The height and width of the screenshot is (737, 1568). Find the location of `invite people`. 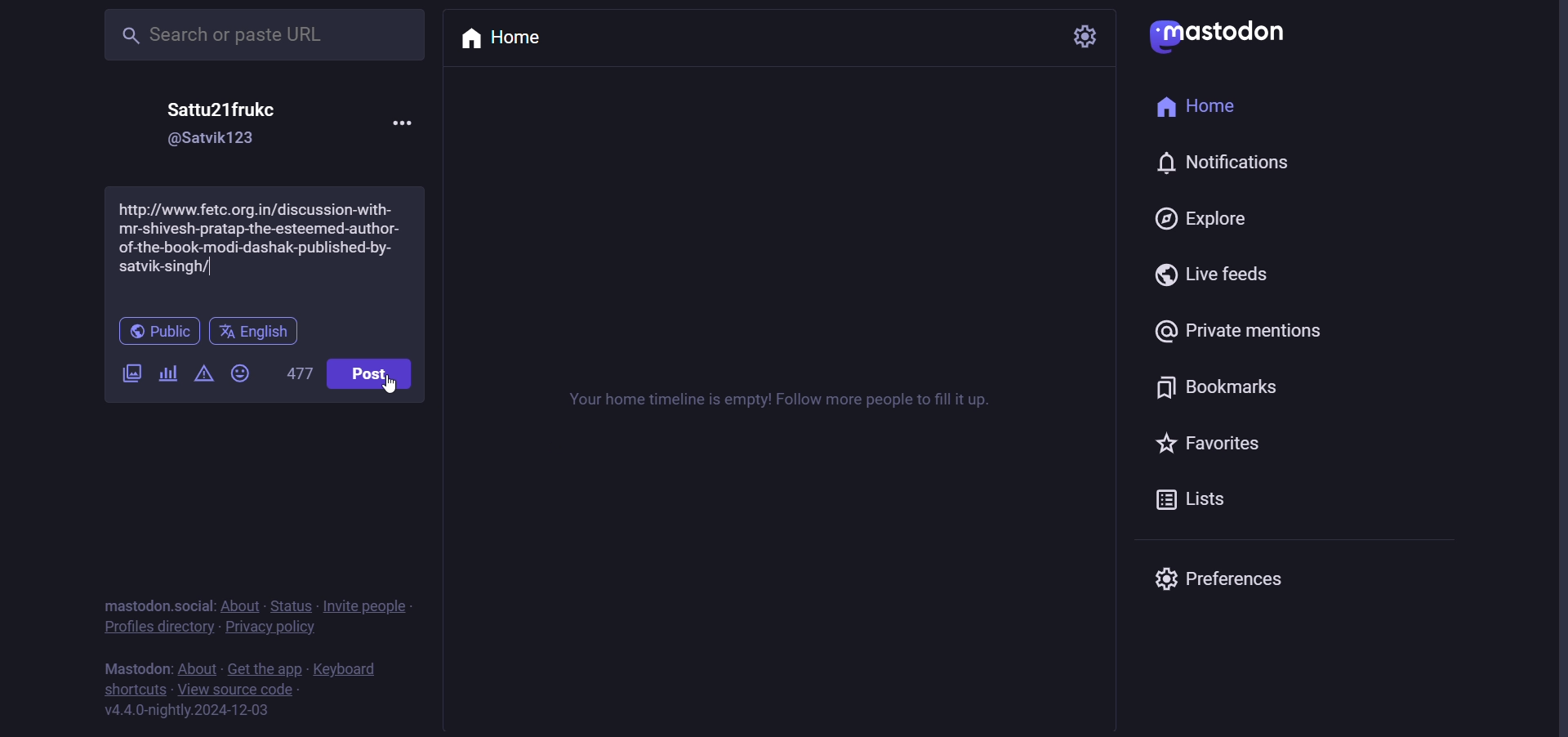

invite people is located at coordinates (381, 607).